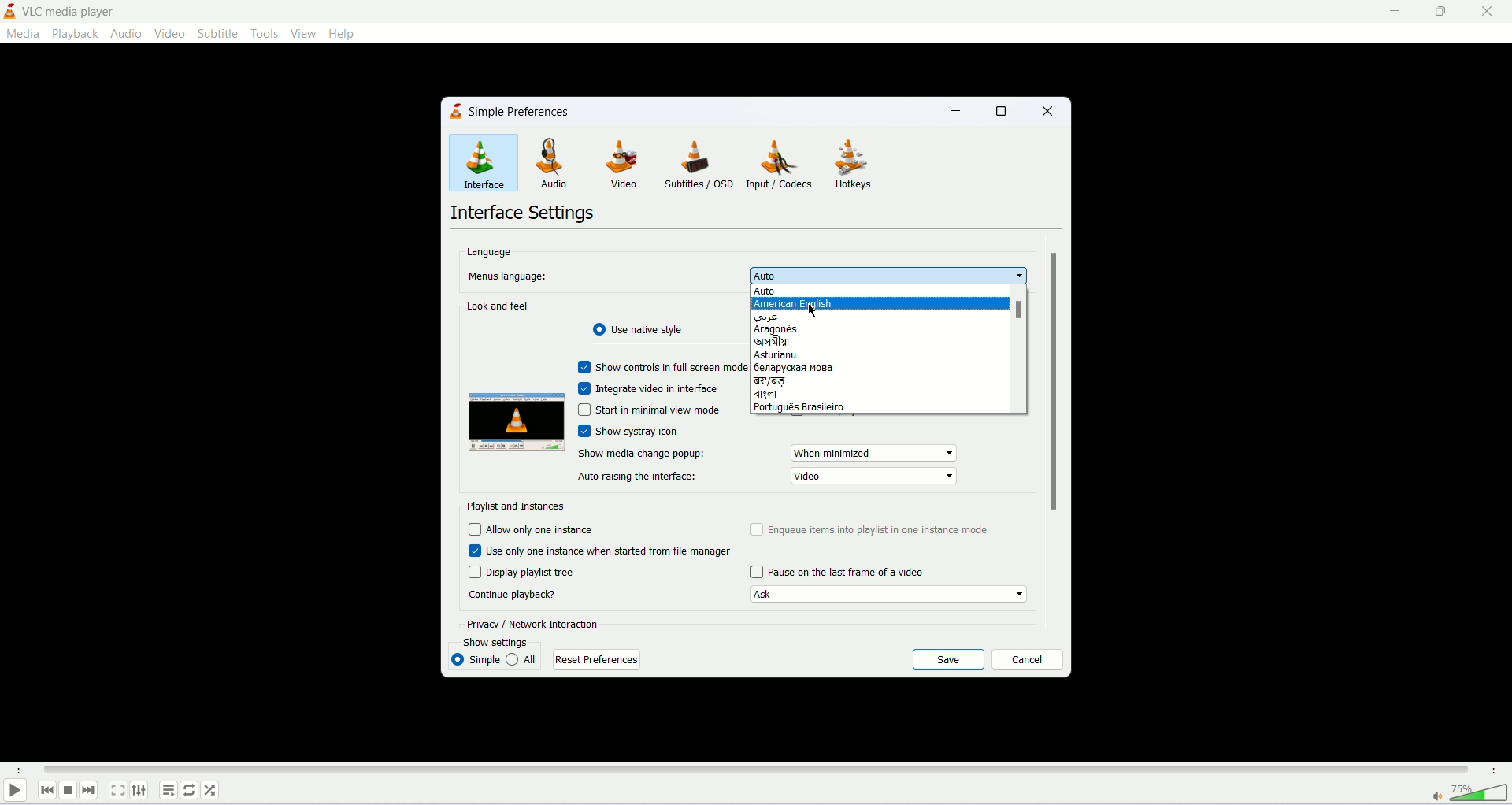 This screenshot has width=1512, height=805. I want to click on audio, so click(560, 165).